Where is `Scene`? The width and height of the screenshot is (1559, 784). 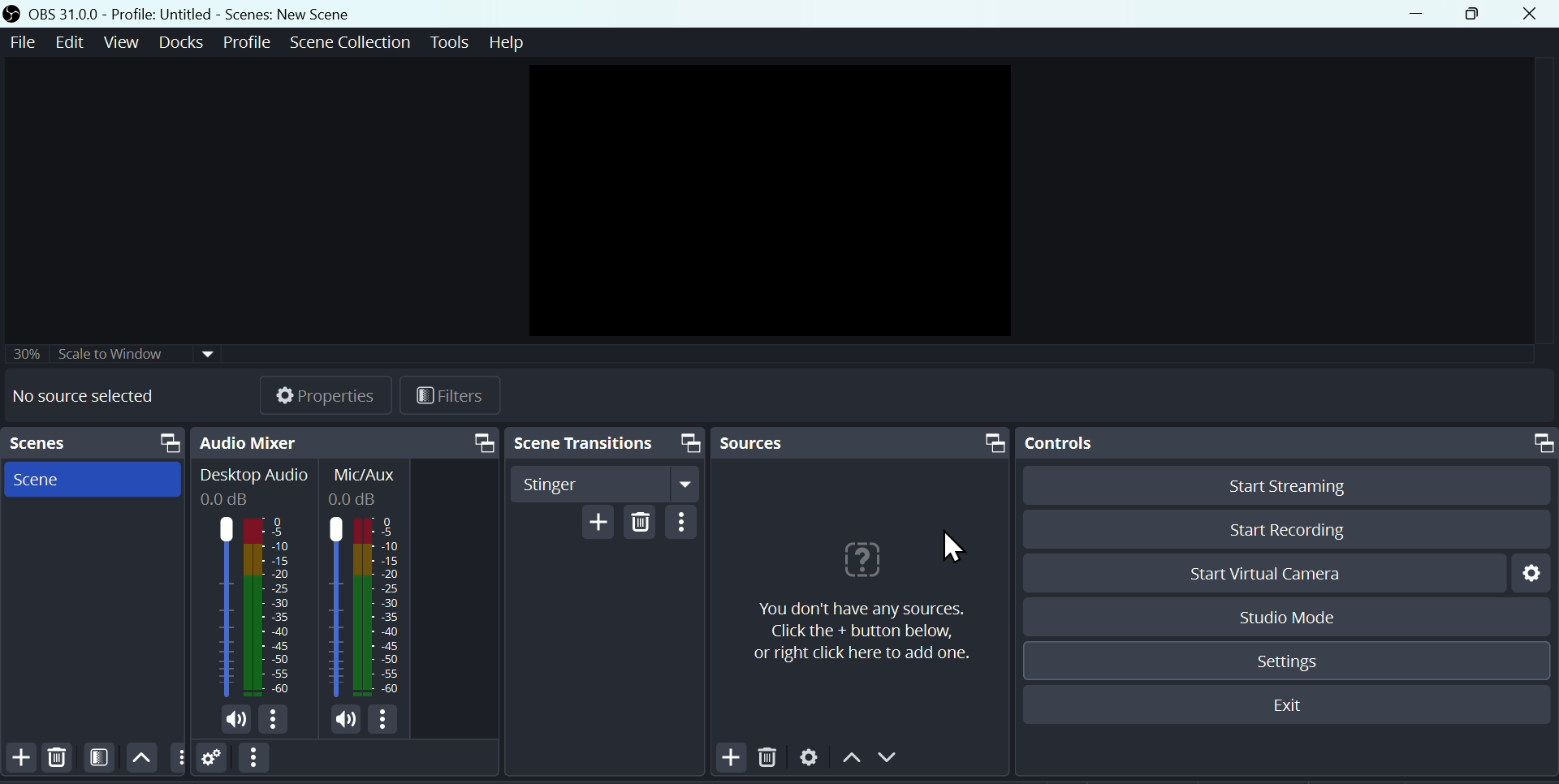 Scene is located at coordinates (46, 482).